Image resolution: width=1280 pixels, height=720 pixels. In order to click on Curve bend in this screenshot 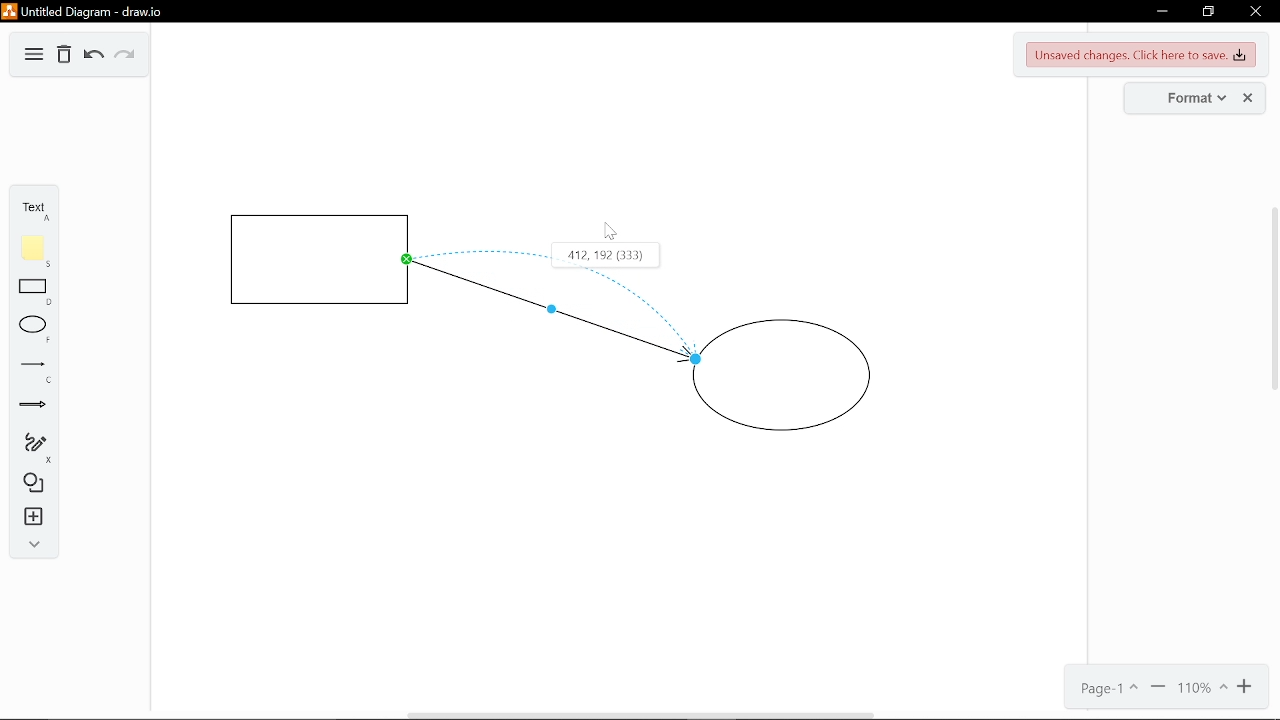, I will do `click(655, 301)`.